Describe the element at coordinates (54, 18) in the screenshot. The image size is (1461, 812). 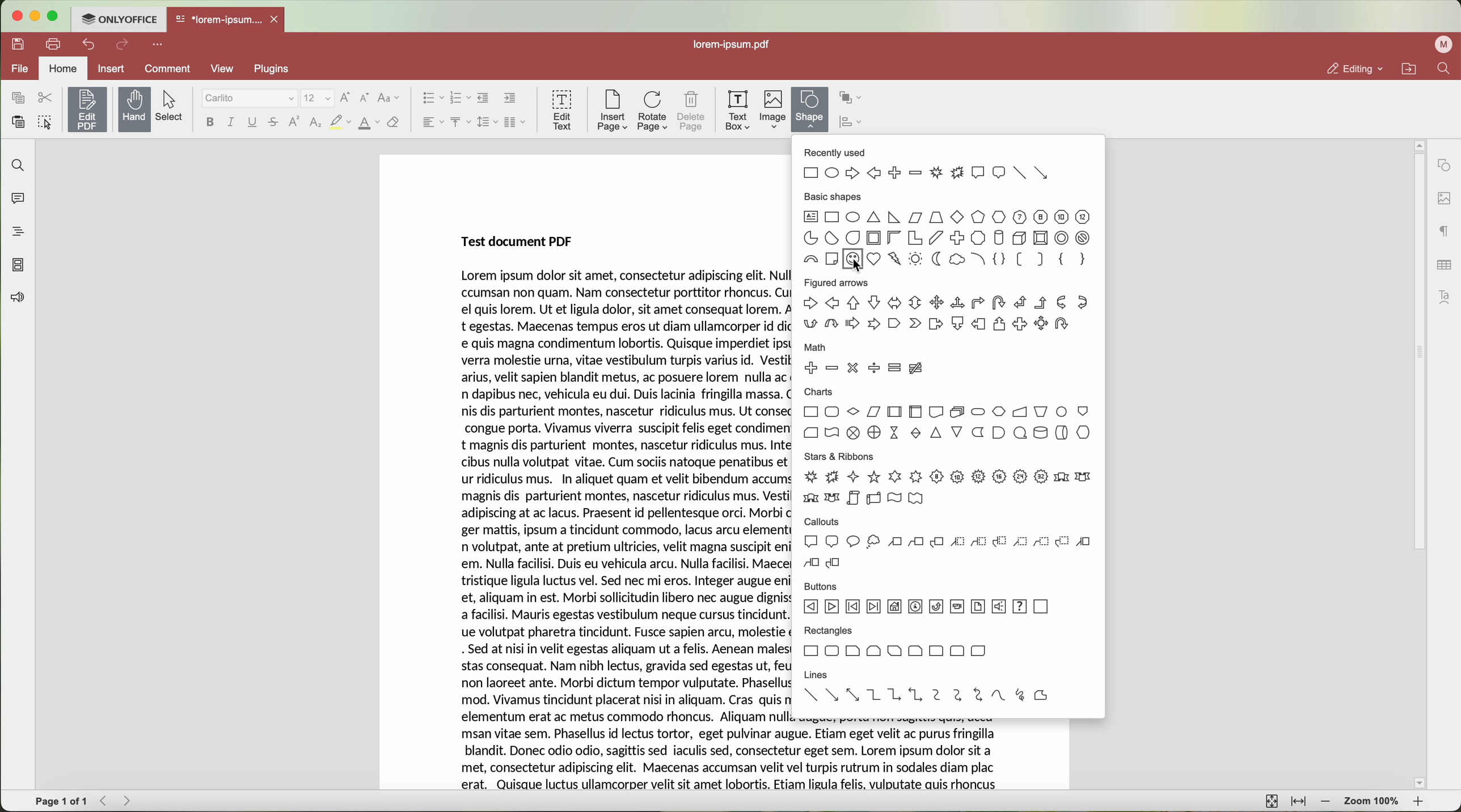
I see `maximize` at that location.